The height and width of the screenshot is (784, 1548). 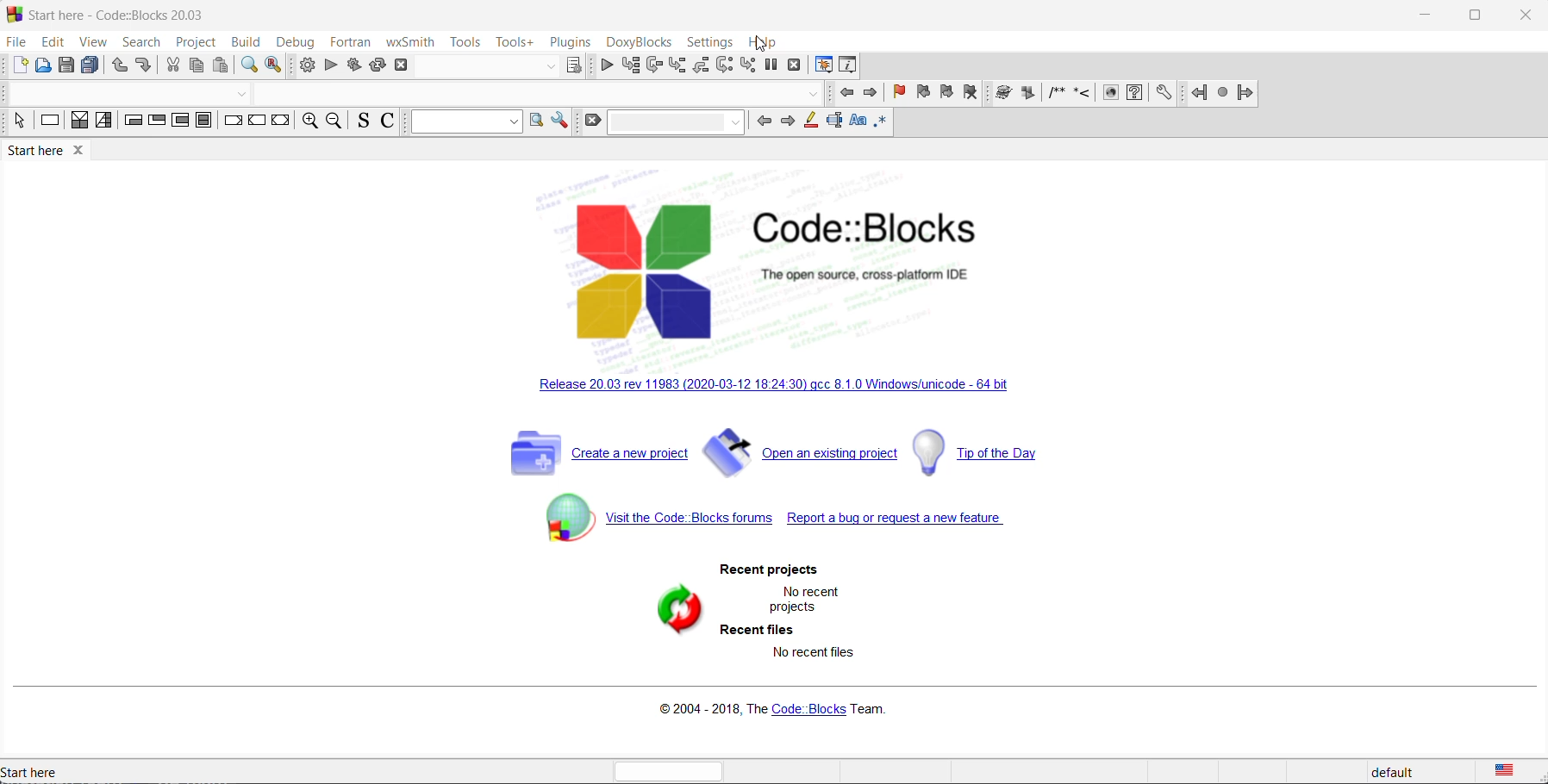 I want to click on next, so click(x=786, y=121).